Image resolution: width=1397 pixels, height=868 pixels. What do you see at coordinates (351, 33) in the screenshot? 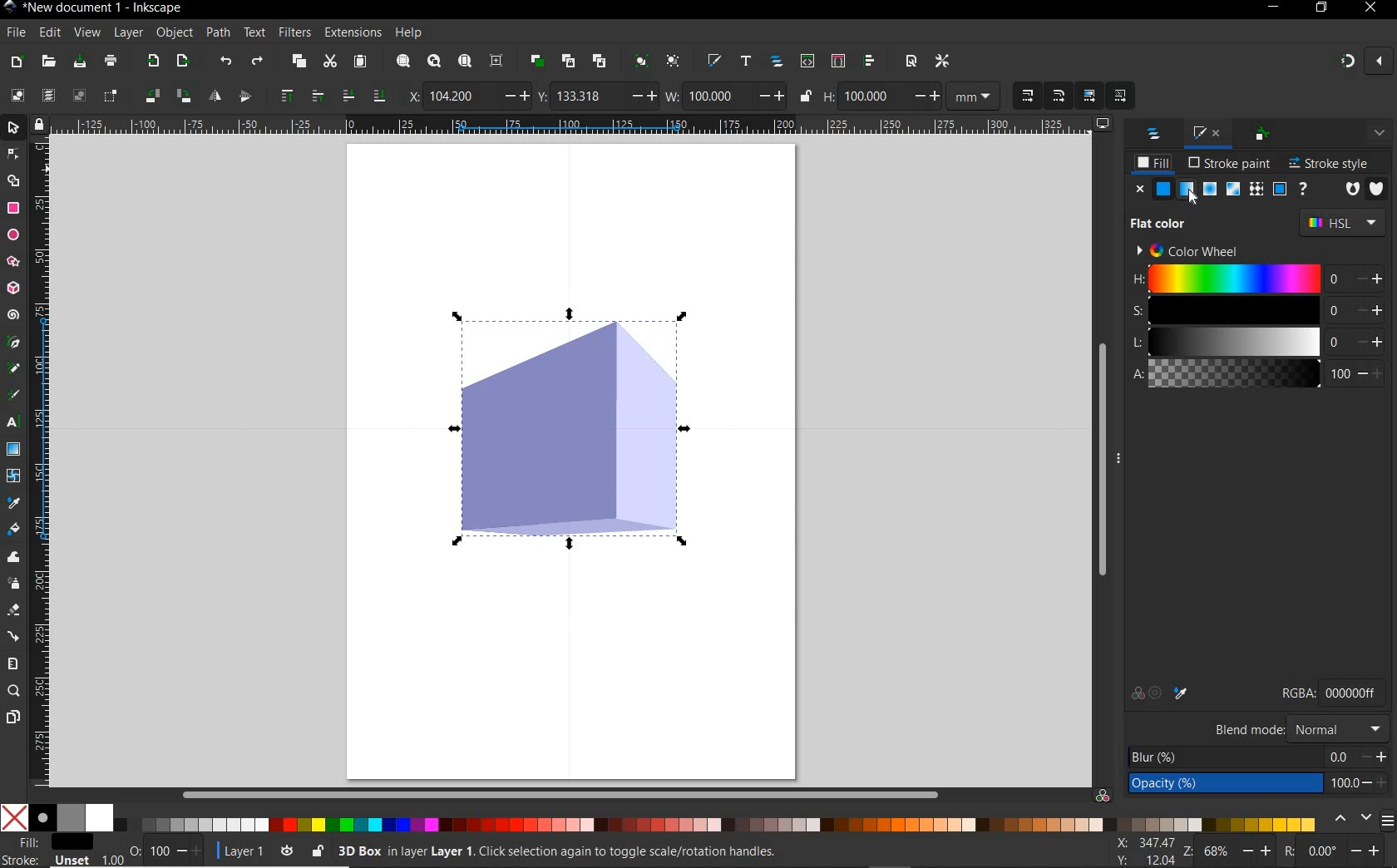
I see `EXTENSIONS` at bounding box center [351, 33].